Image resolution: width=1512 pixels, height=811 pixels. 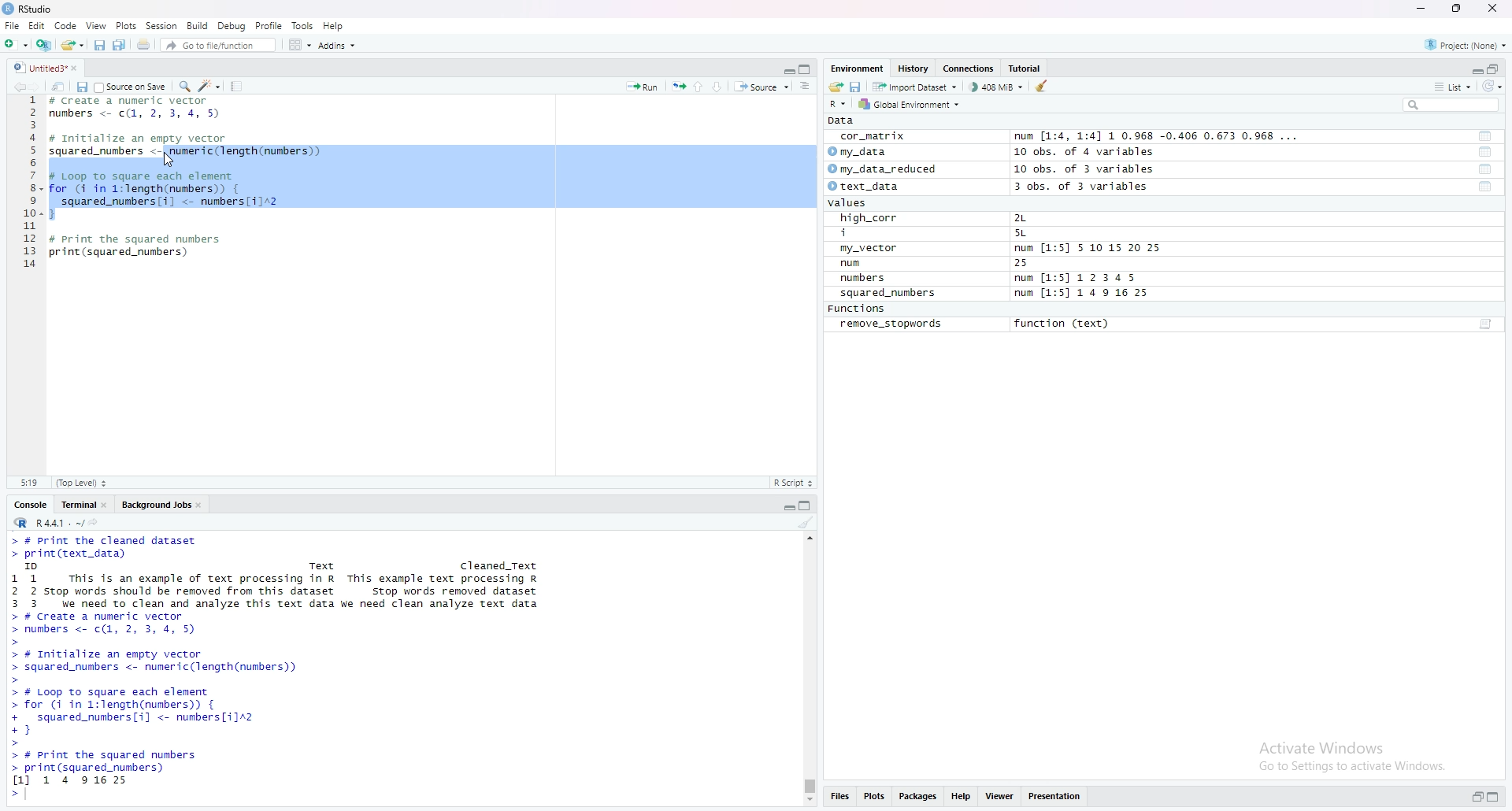 I want to click on move forward, so click(x=39, y=85).